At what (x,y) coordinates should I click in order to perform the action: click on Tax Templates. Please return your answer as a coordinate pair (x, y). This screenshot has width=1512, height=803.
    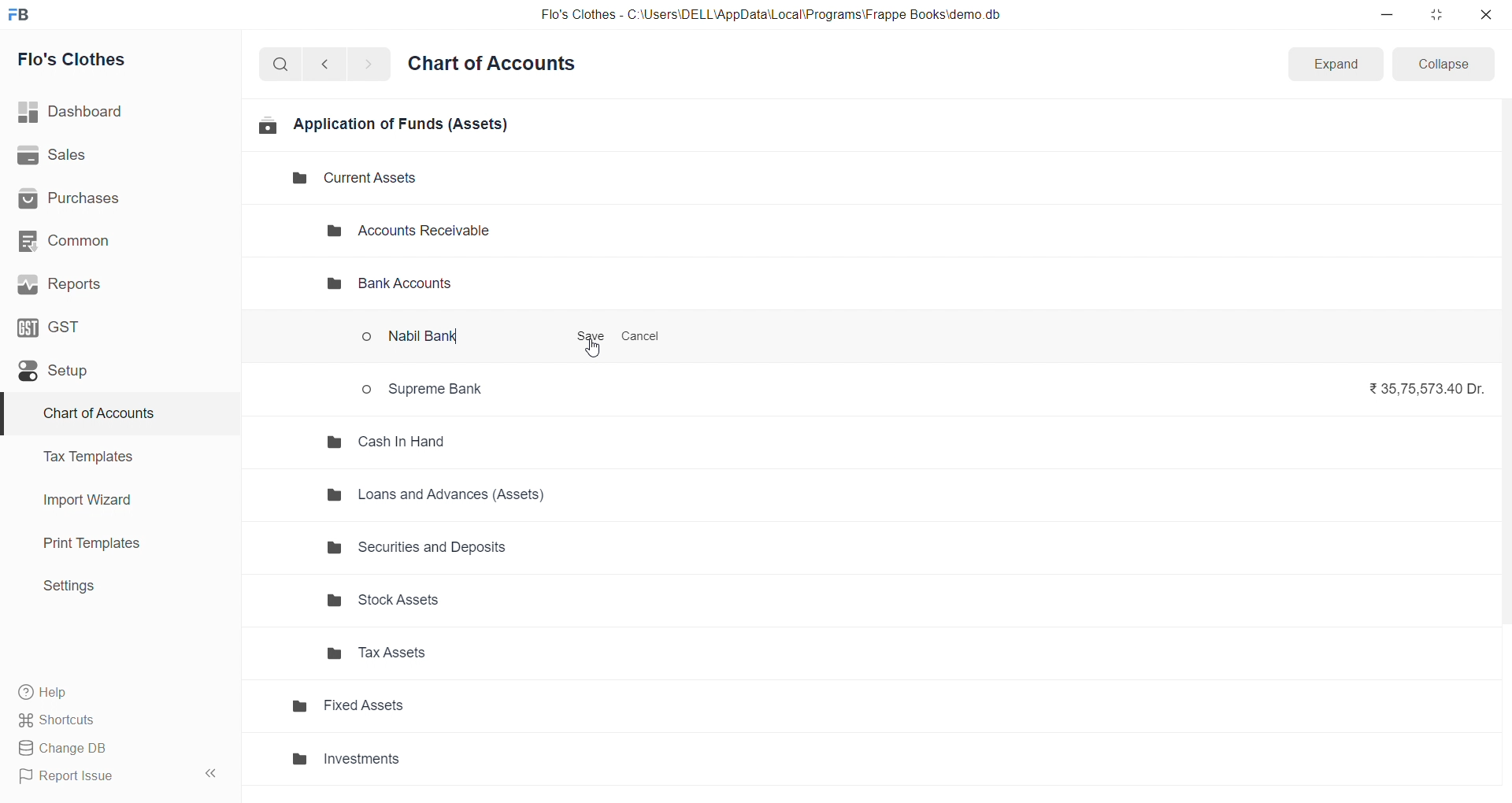
    Looking at the image, I should click on (111, 457).